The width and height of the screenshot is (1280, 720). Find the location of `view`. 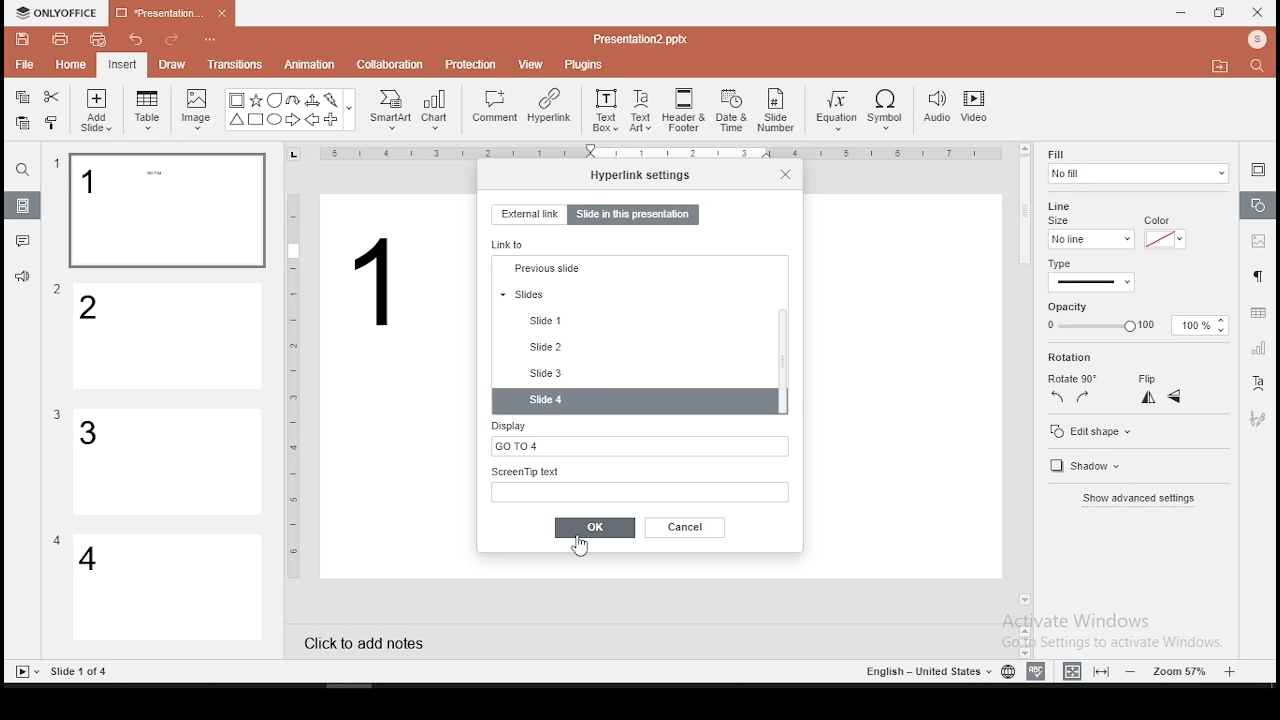

view is located at coordinates (532, 63).